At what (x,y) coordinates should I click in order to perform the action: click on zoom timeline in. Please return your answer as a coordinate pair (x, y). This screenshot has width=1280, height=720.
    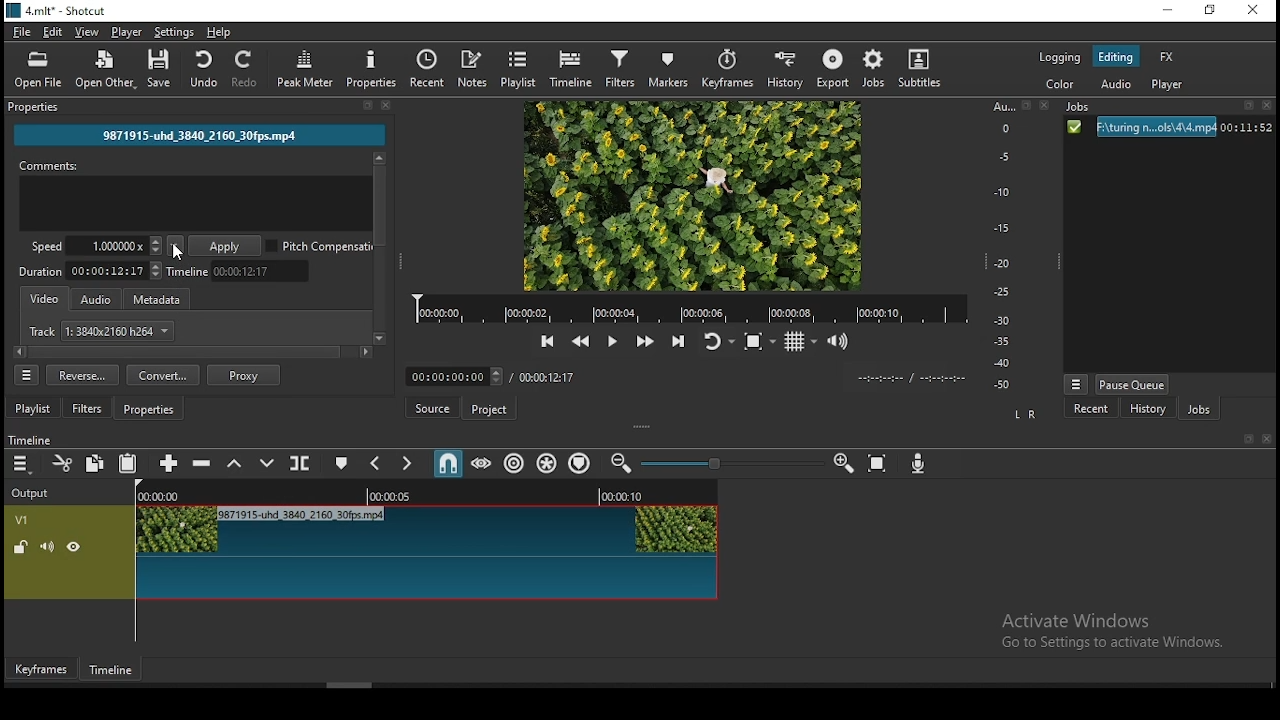
    Looking at the image, I should click on (843, 458).